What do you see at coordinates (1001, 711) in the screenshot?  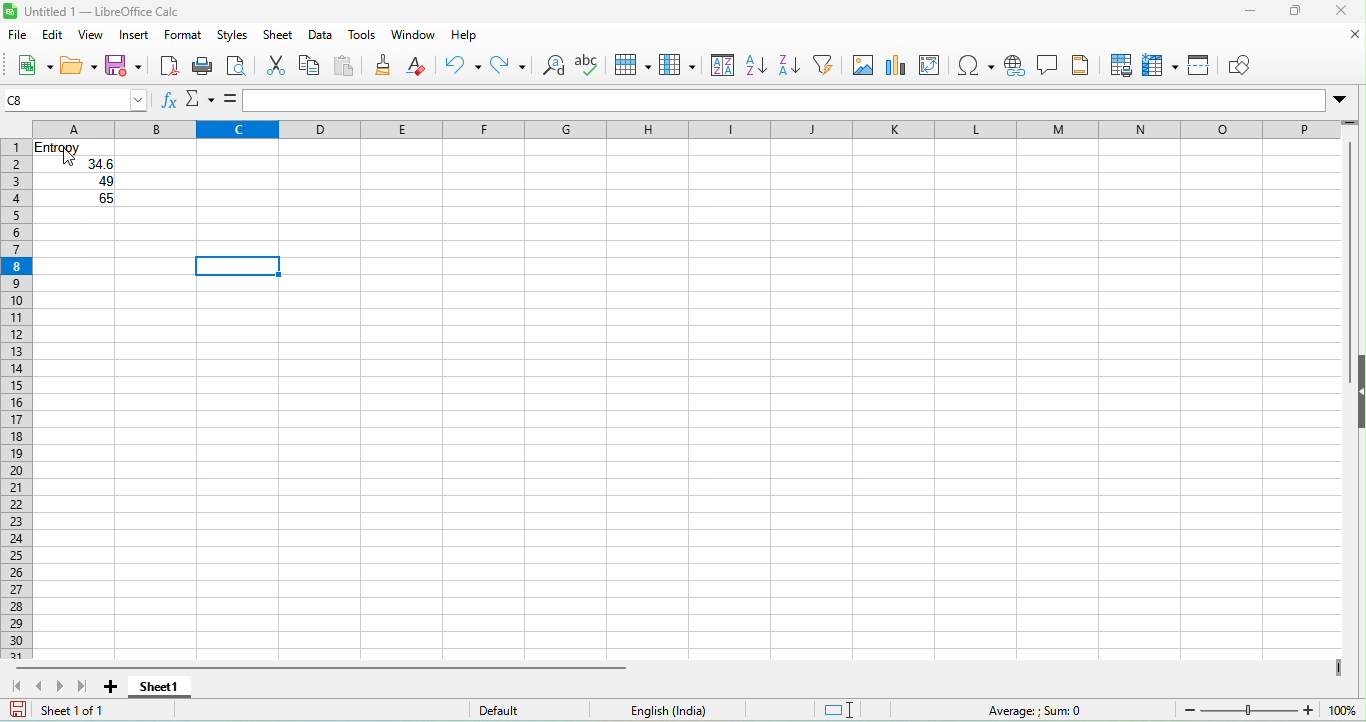 I see `average sum=0` at bounding box center [1001, 711].